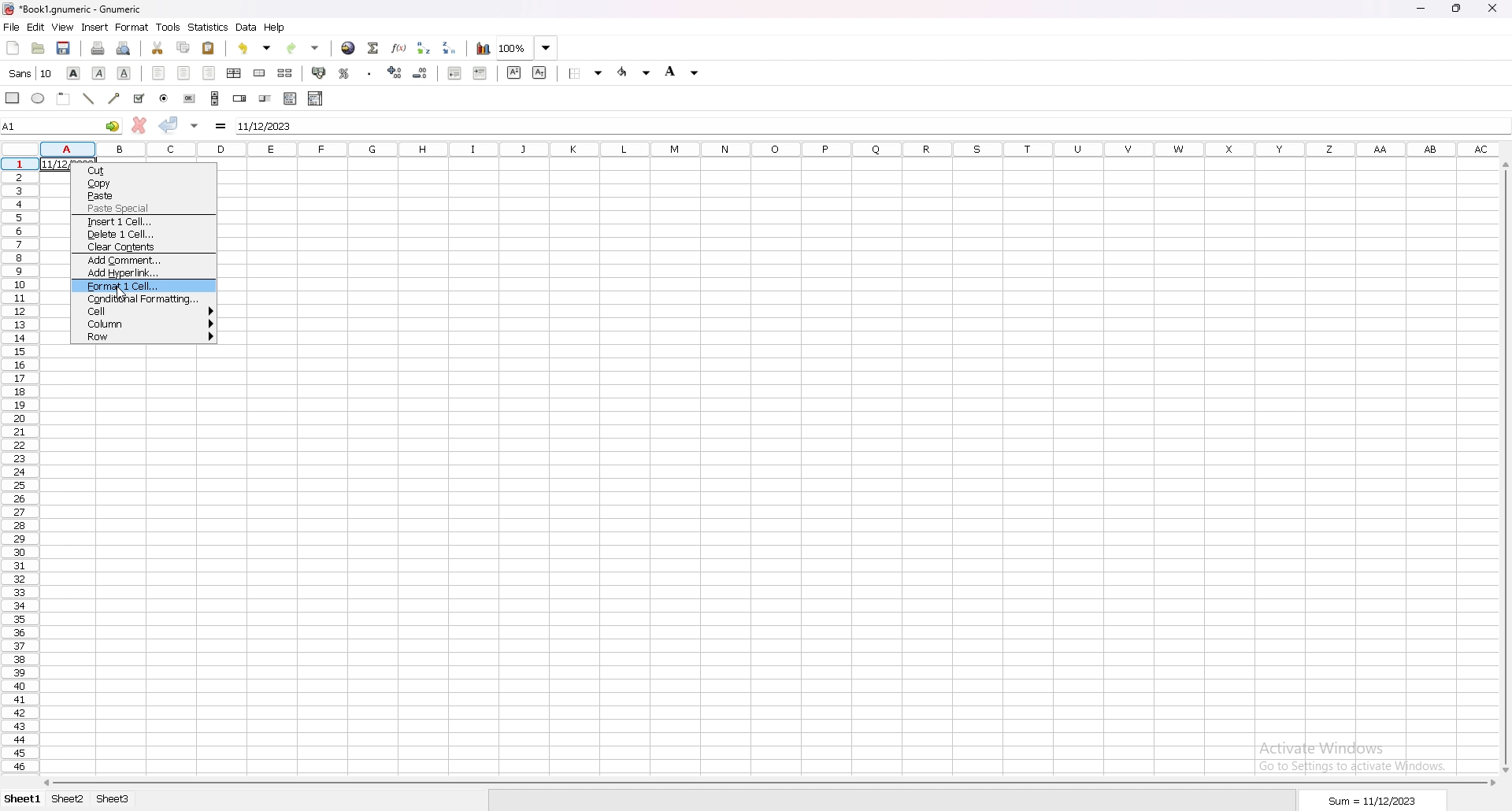 This screenshot has height=811, width=1512. What do you see at coordinates (144, 260) in the screenshot?
I see `add comment` at bounding box center [144, 260].